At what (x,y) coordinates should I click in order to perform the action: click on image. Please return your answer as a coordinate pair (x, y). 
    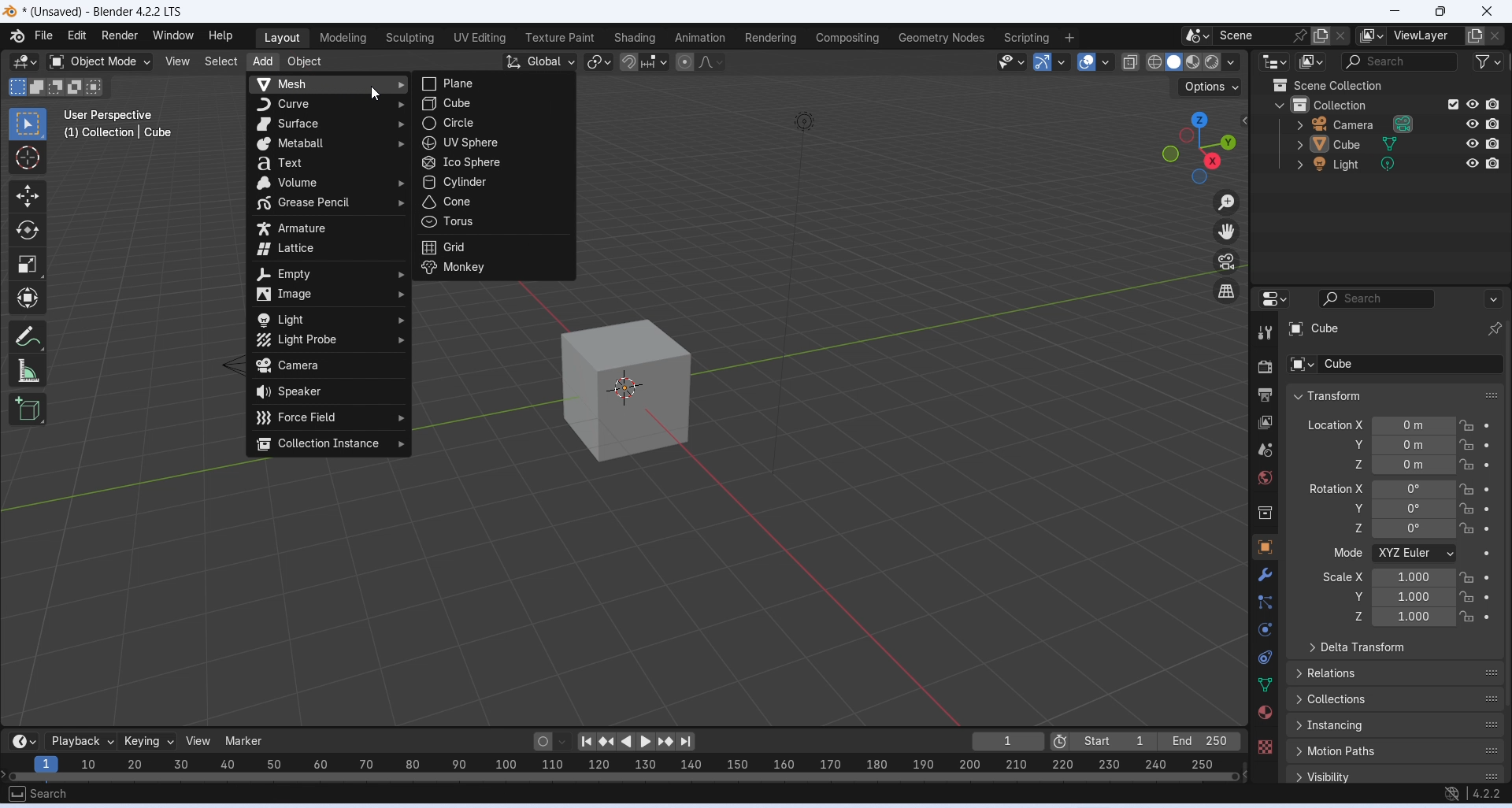
    Looking at the image, I should click on (327, 295).